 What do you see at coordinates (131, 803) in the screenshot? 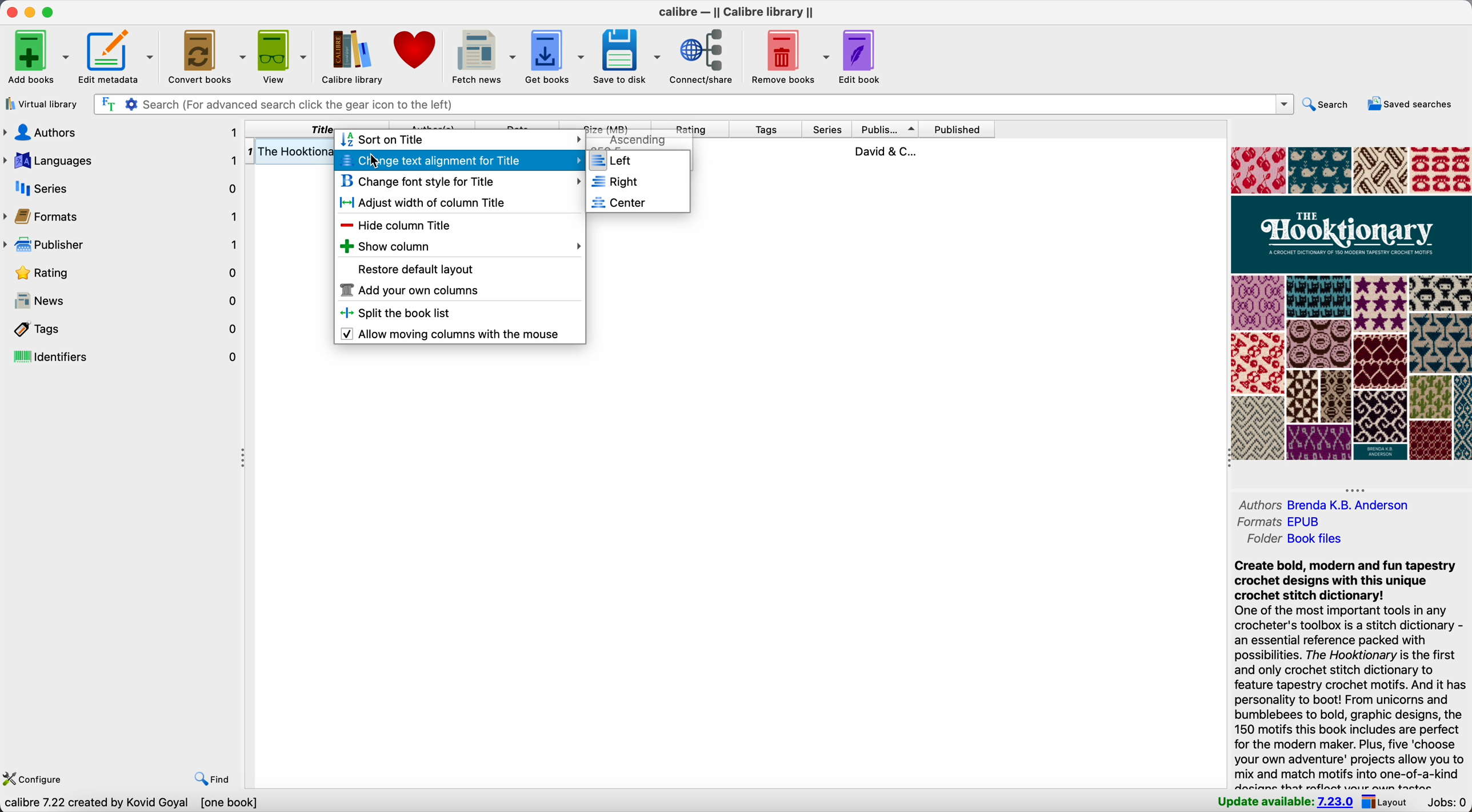
I see `Calibre 7.22 created by Kovid Goyal [one book]` at bounding box center [131, 803].